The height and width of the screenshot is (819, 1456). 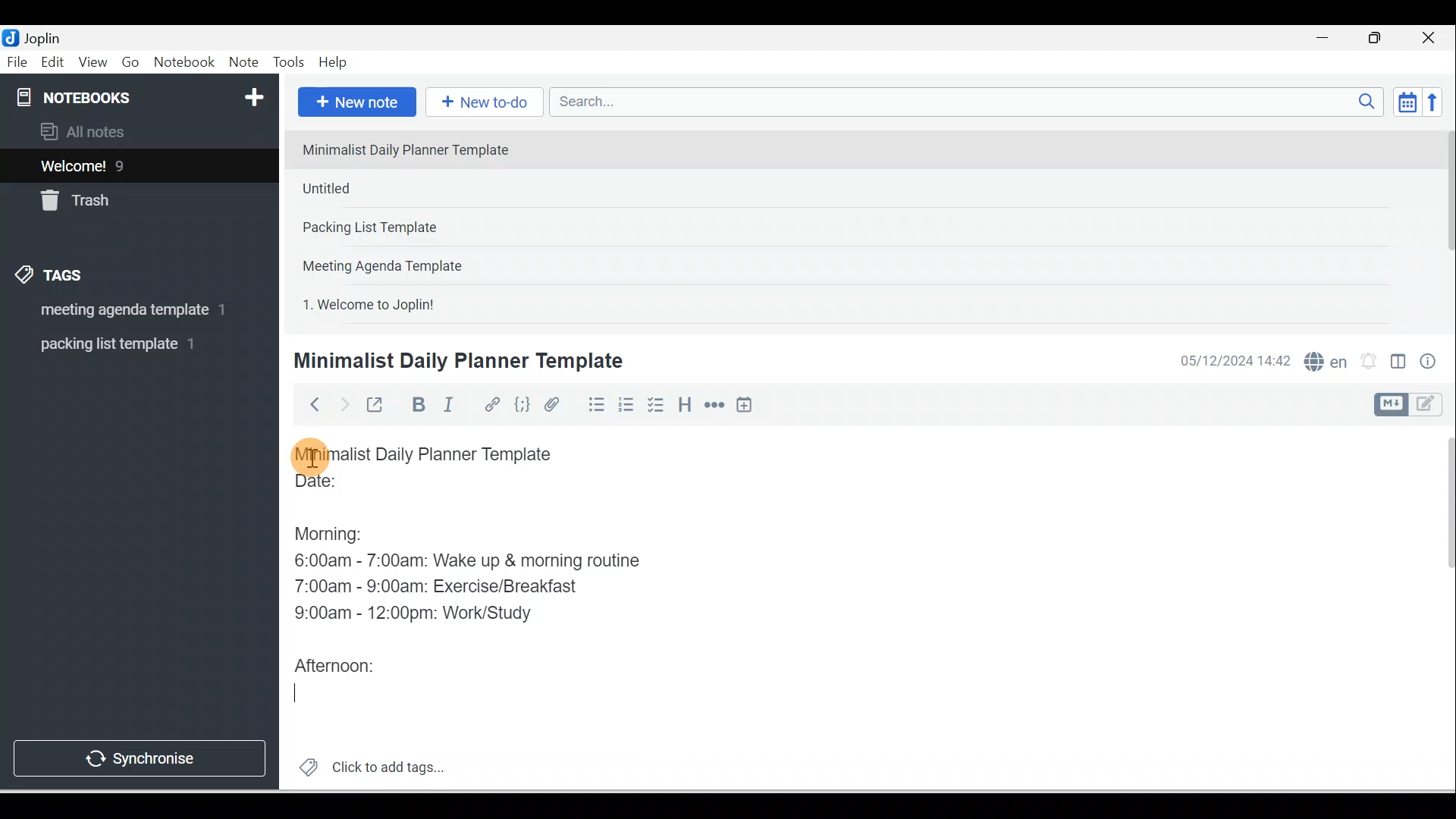 I want to click on Back, so click(x=308, y=404).